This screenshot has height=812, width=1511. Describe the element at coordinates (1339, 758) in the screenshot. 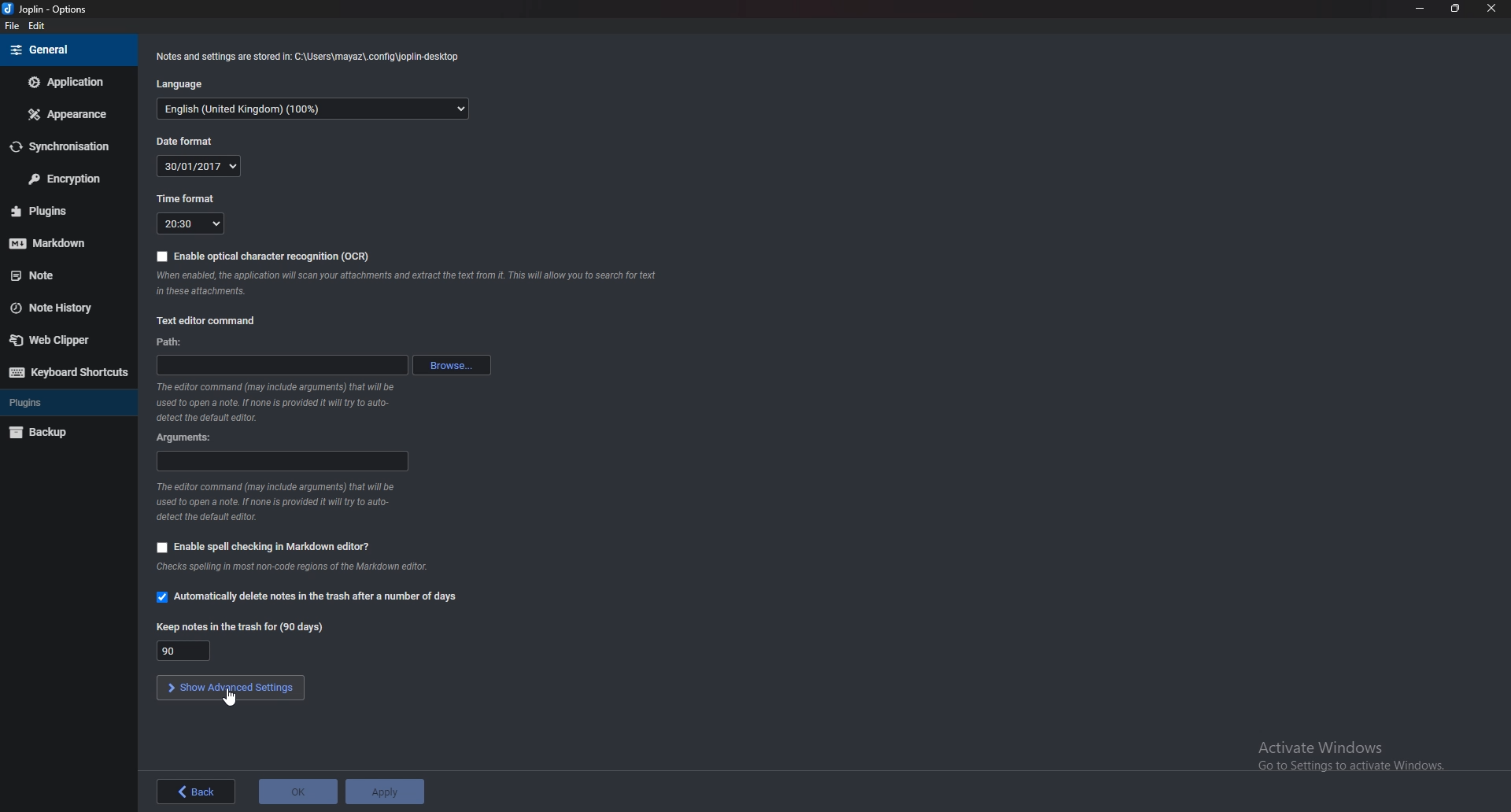

I see `activate windows` at that location.